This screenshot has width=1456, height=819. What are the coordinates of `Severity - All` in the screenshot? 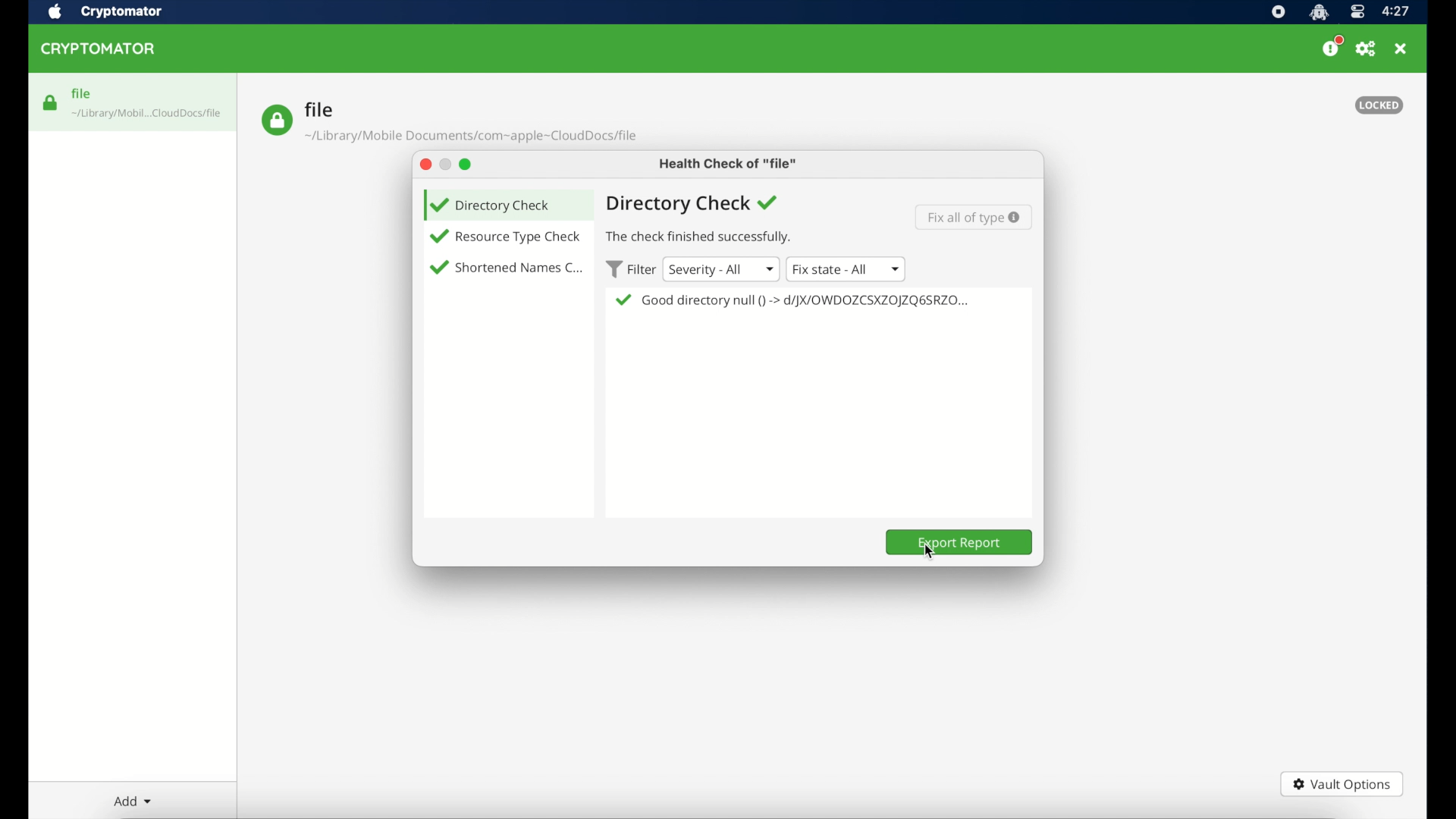 It's located at (720, 268).